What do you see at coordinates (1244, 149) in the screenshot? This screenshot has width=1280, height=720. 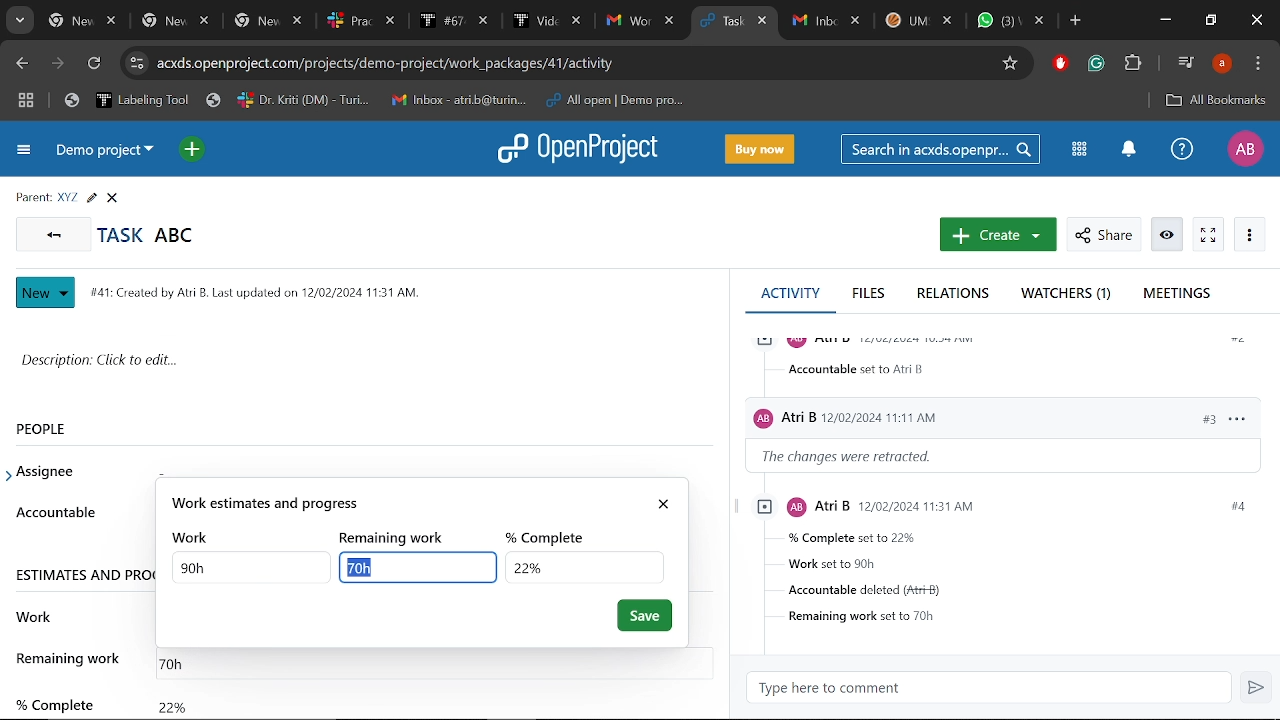 I see `Profile` at bounding box center [1244, 149].